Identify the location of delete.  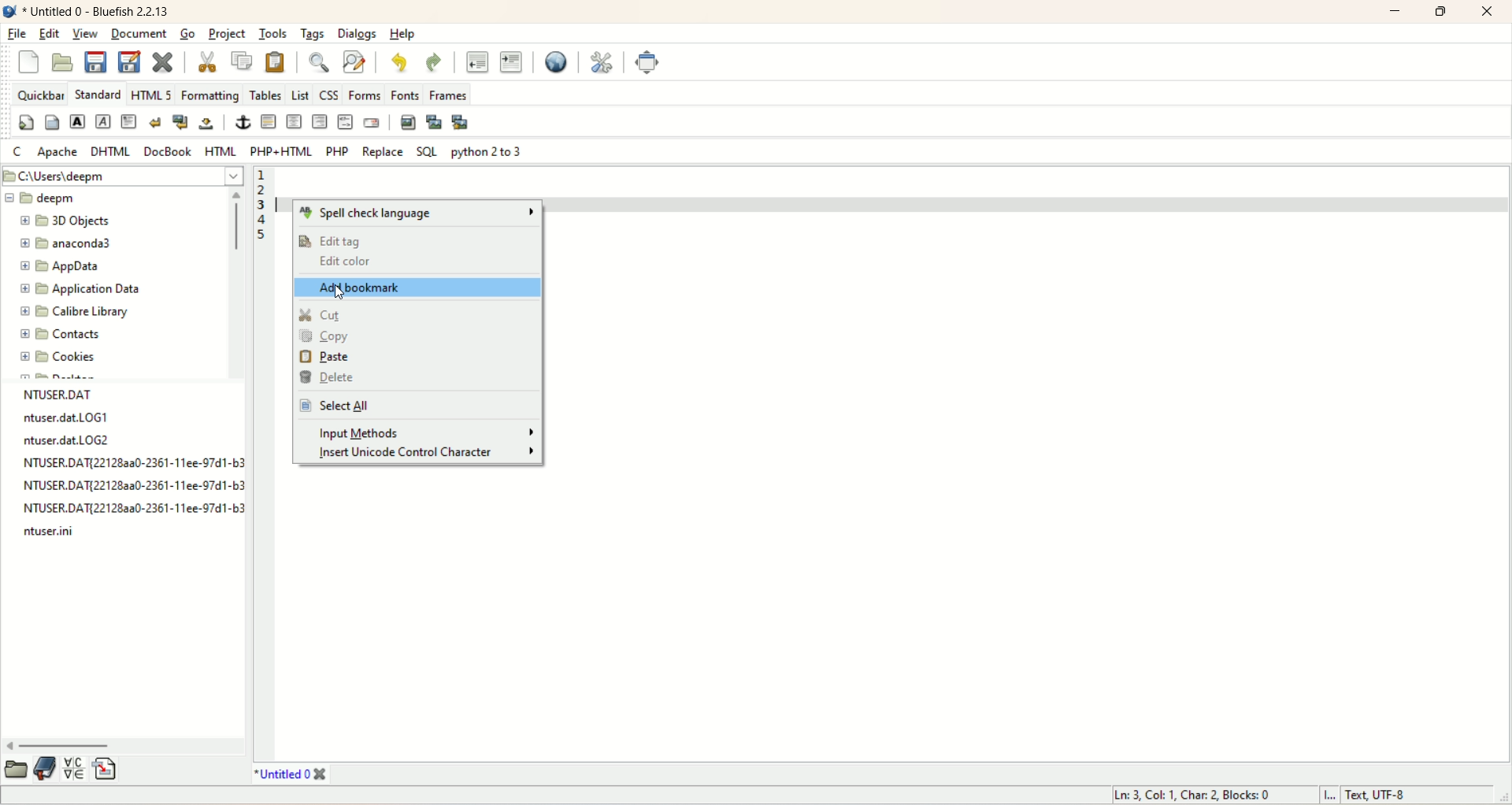
(330, 378).